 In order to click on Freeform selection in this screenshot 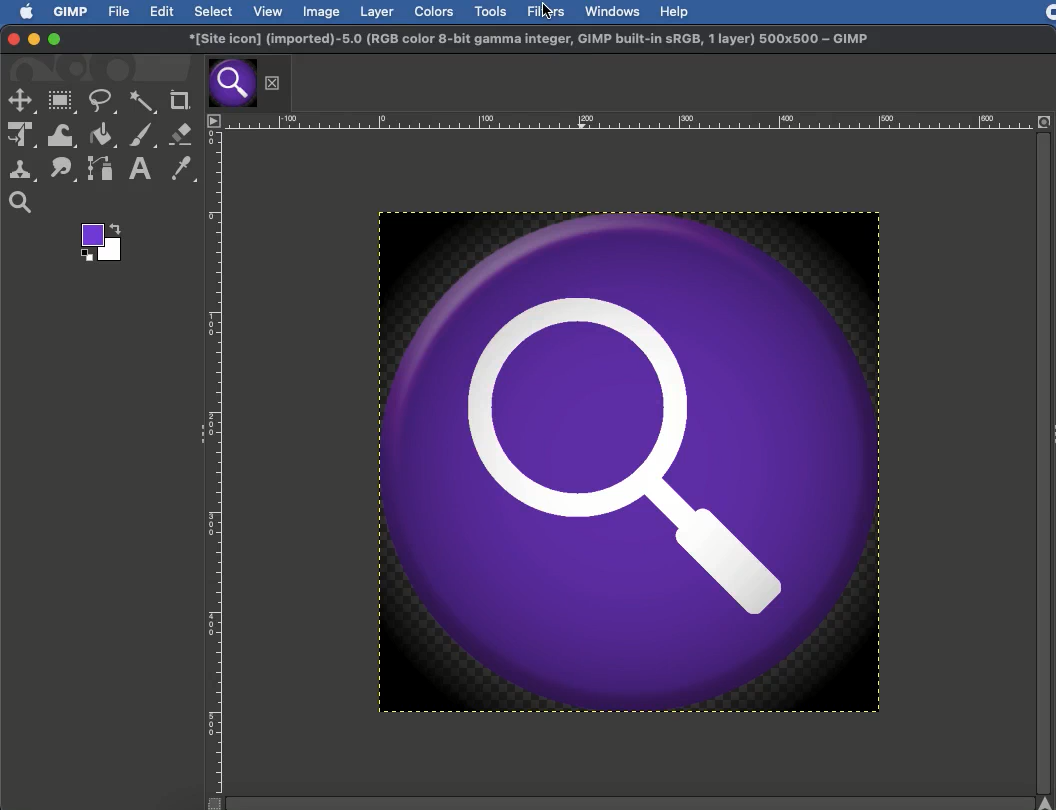, I will do `click(103, 102)`.